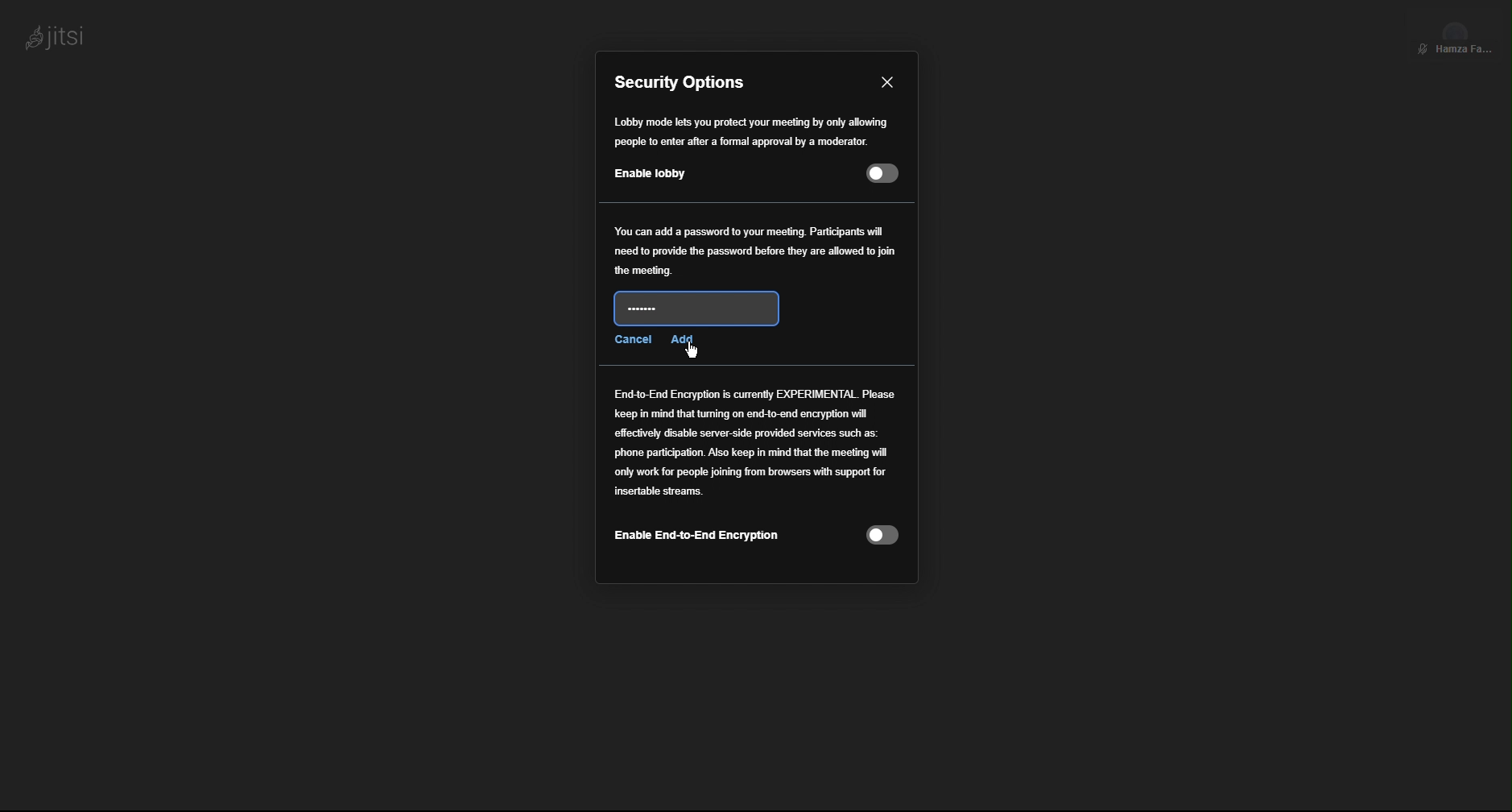 The height and width of the screenshot is (812, 1512). I want to click on Participant View, so click(1456, 34).